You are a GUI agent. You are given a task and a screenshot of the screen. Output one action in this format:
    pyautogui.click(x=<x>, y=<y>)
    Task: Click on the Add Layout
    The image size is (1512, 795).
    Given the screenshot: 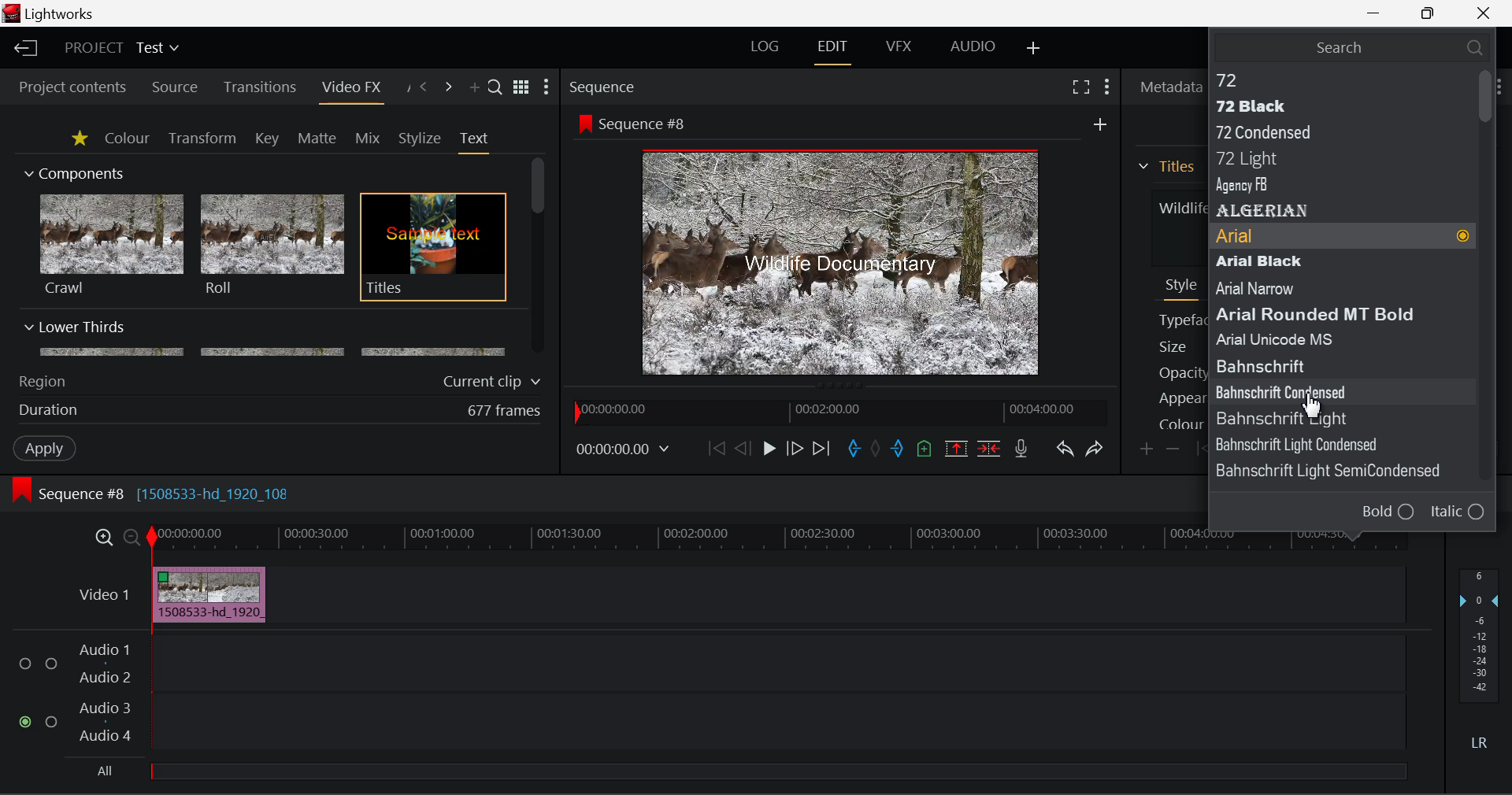 What is the action you would take?
    pyautogui.click(x=1036, y=50)
    